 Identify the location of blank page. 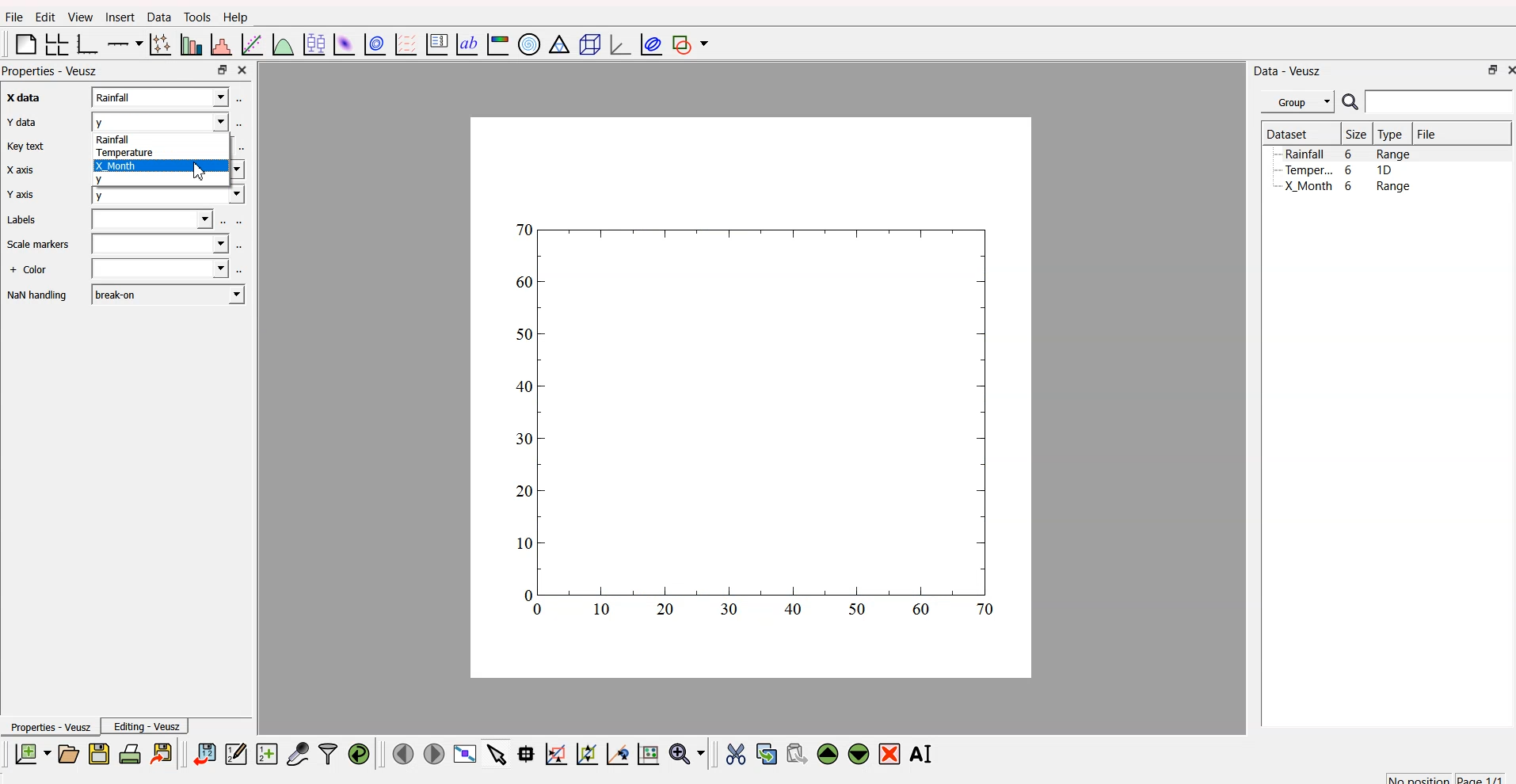
(22, 47).